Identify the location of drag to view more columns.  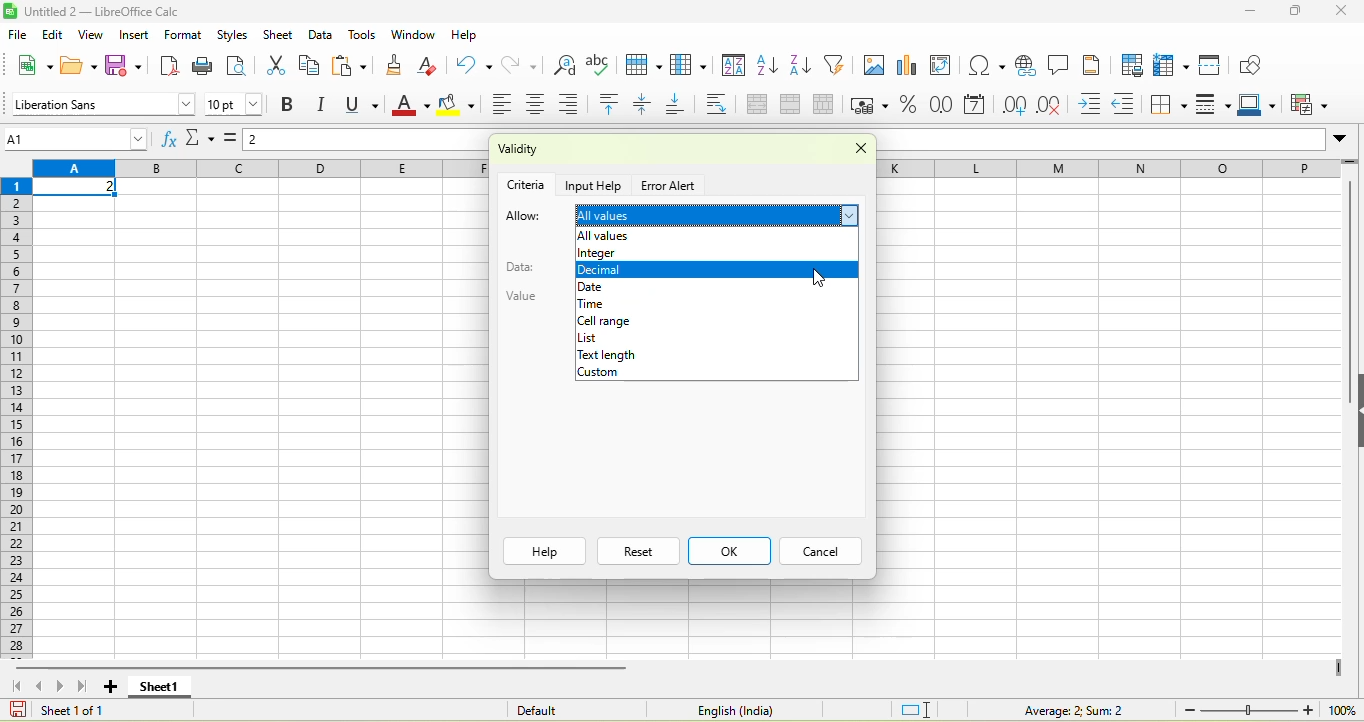
(1339, 668).